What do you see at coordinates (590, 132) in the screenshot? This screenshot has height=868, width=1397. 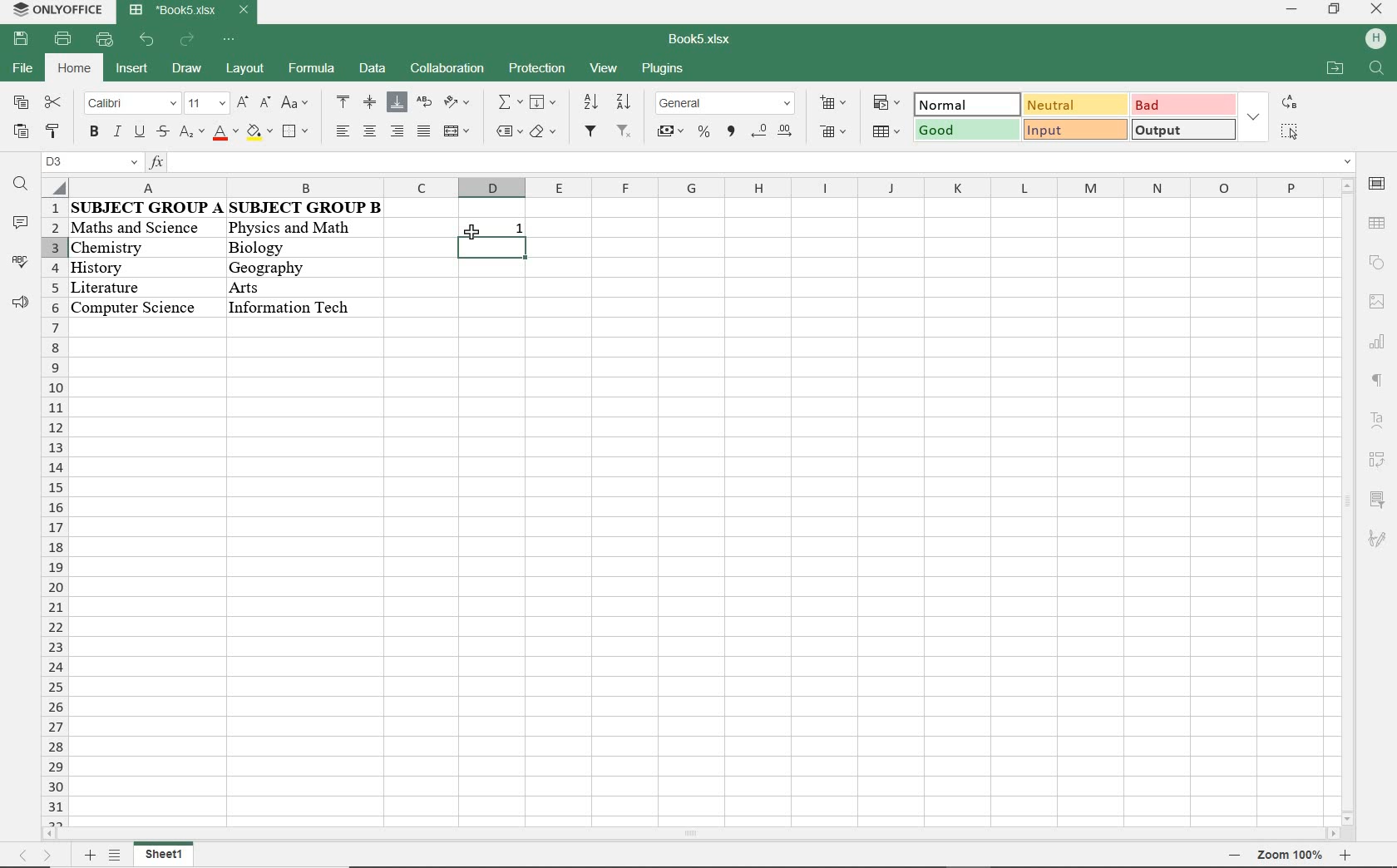 I see `filter` at bounding box center [590, 132].